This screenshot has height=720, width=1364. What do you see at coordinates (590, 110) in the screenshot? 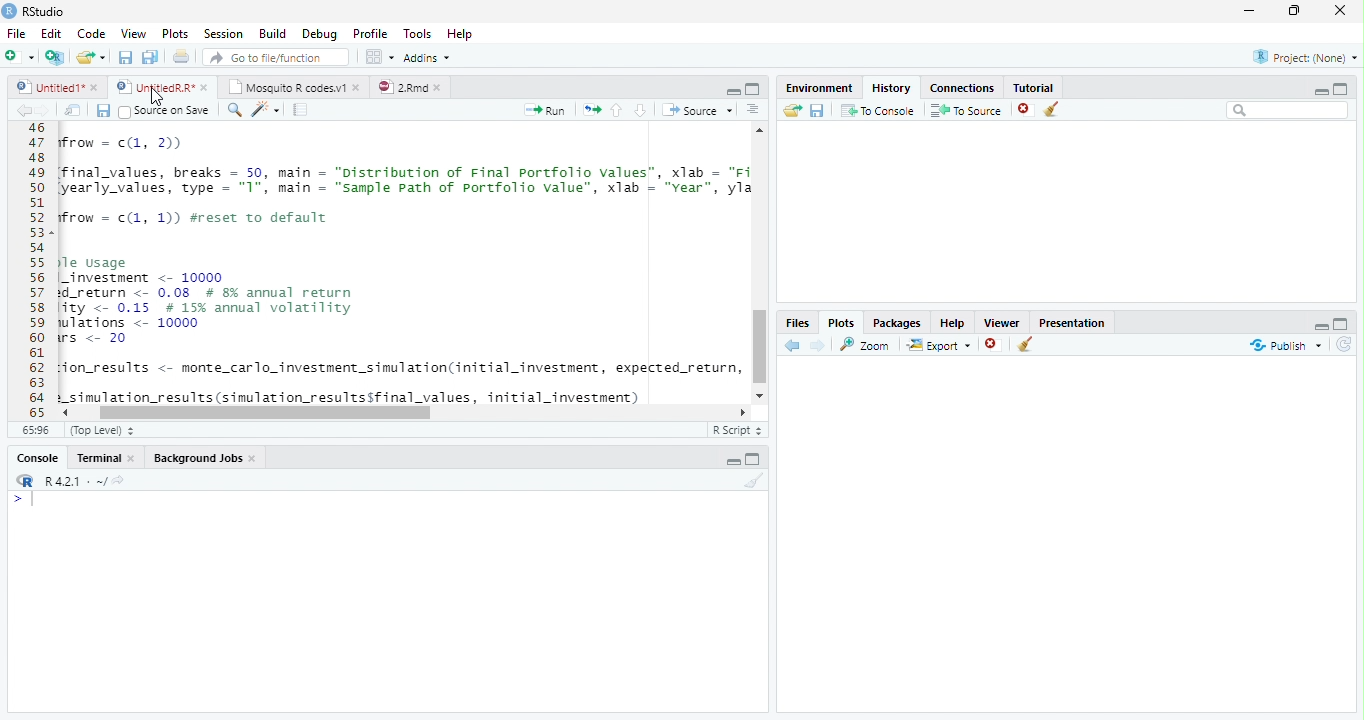
I see `Re-run the previous code region` at bounding box center [590, 110].